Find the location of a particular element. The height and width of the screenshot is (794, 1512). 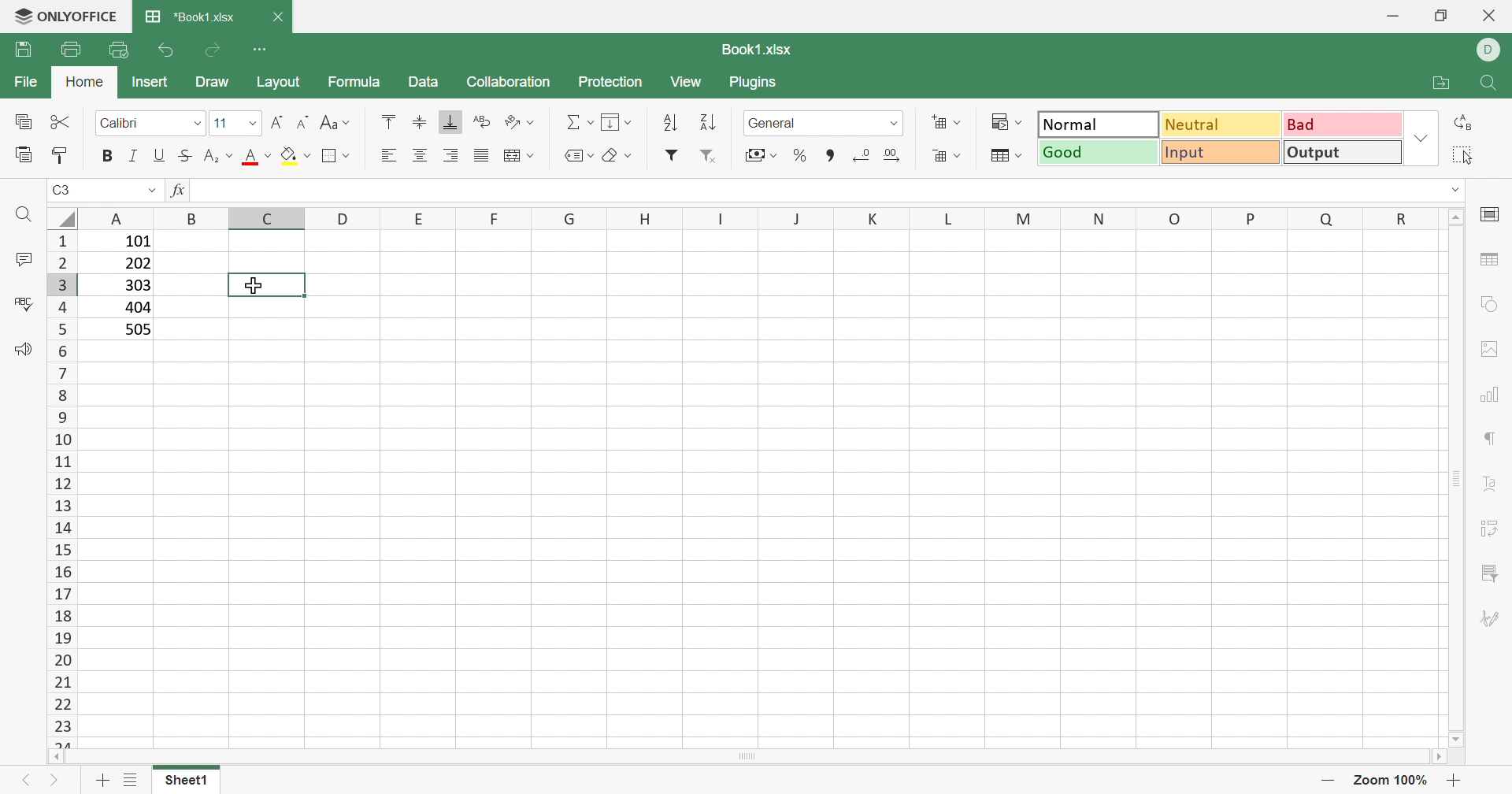

Add sheet is located at coordinates (102, 781).